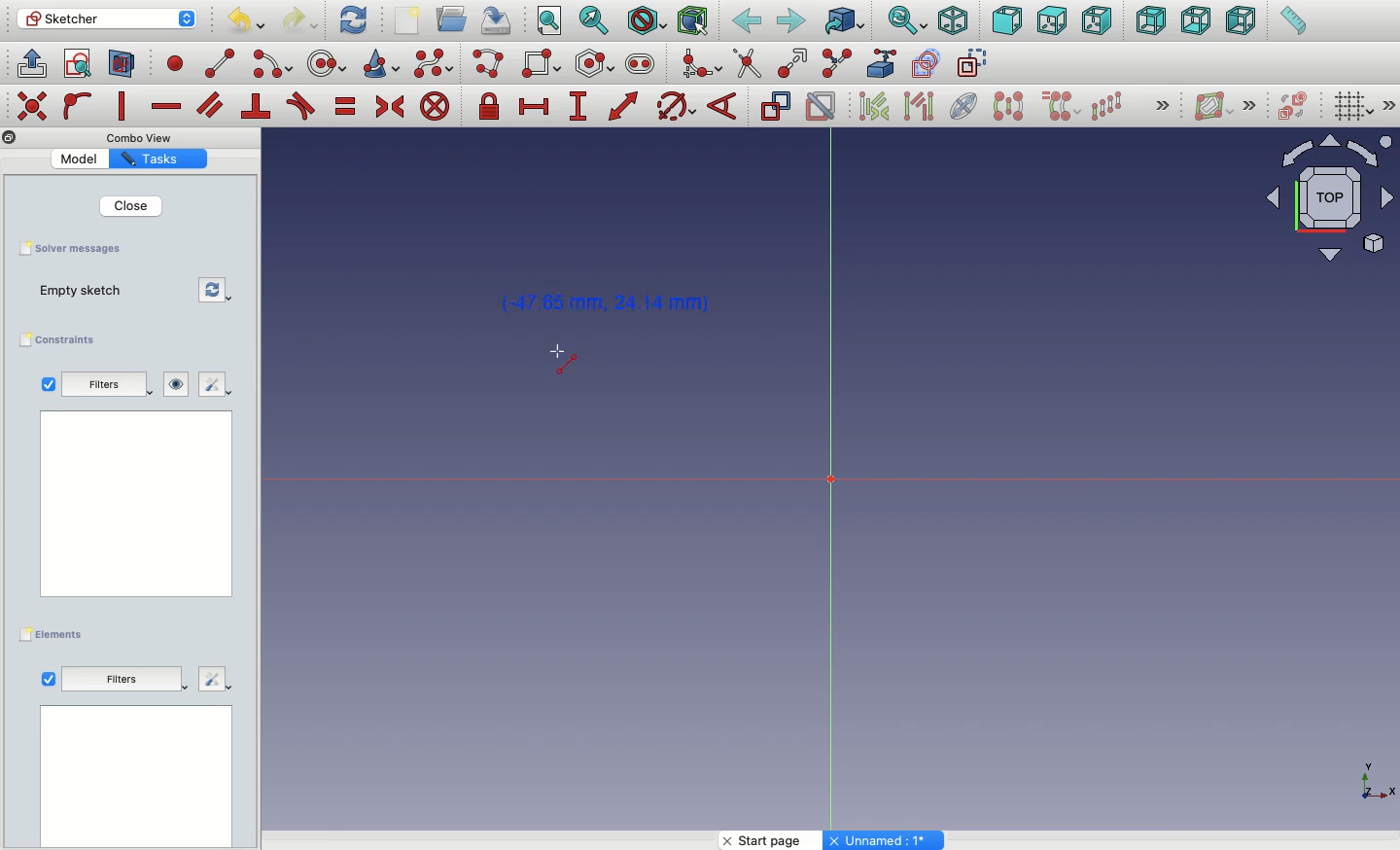 Image resolution: width=1400 pixels, height=850 pixels. What do you see at coordinates (1389, 105) in the screenshot?
I see `` at bounding box center [1389, 105].